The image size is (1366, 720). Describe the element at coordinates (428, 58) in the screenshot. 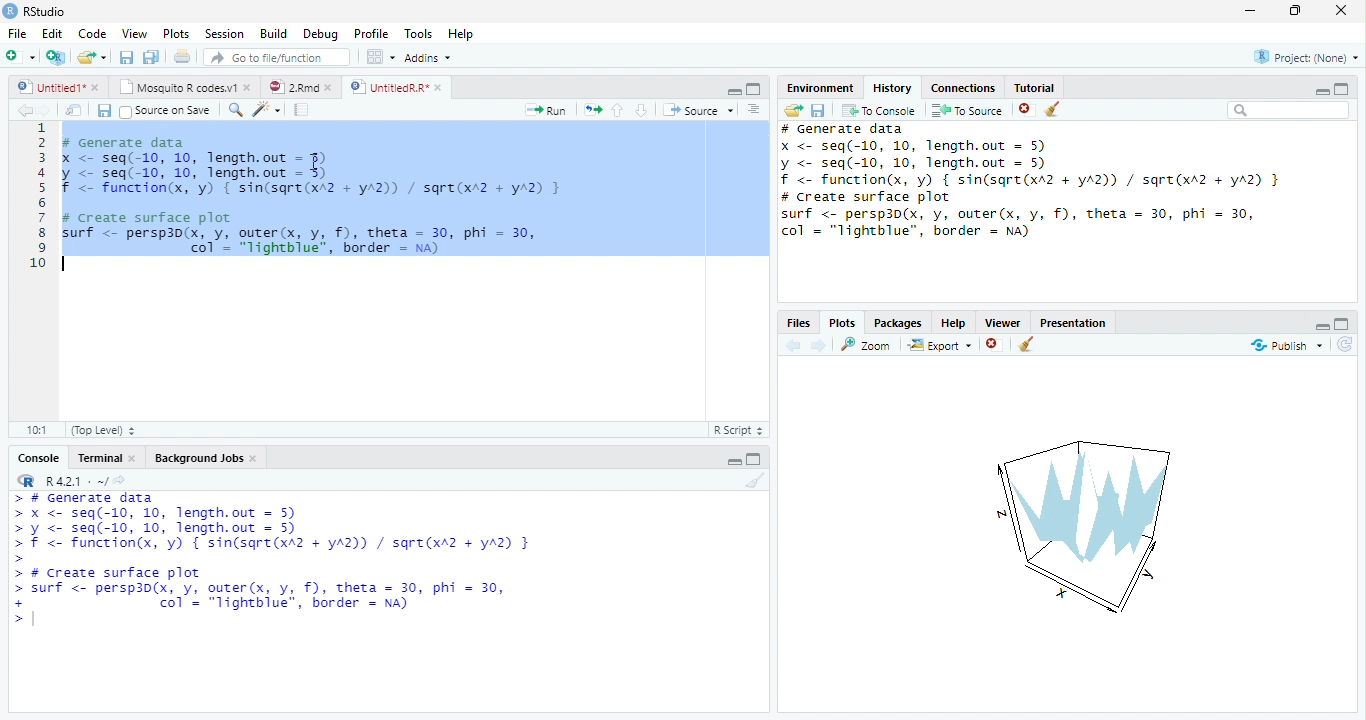

I see `Addins` at that location.